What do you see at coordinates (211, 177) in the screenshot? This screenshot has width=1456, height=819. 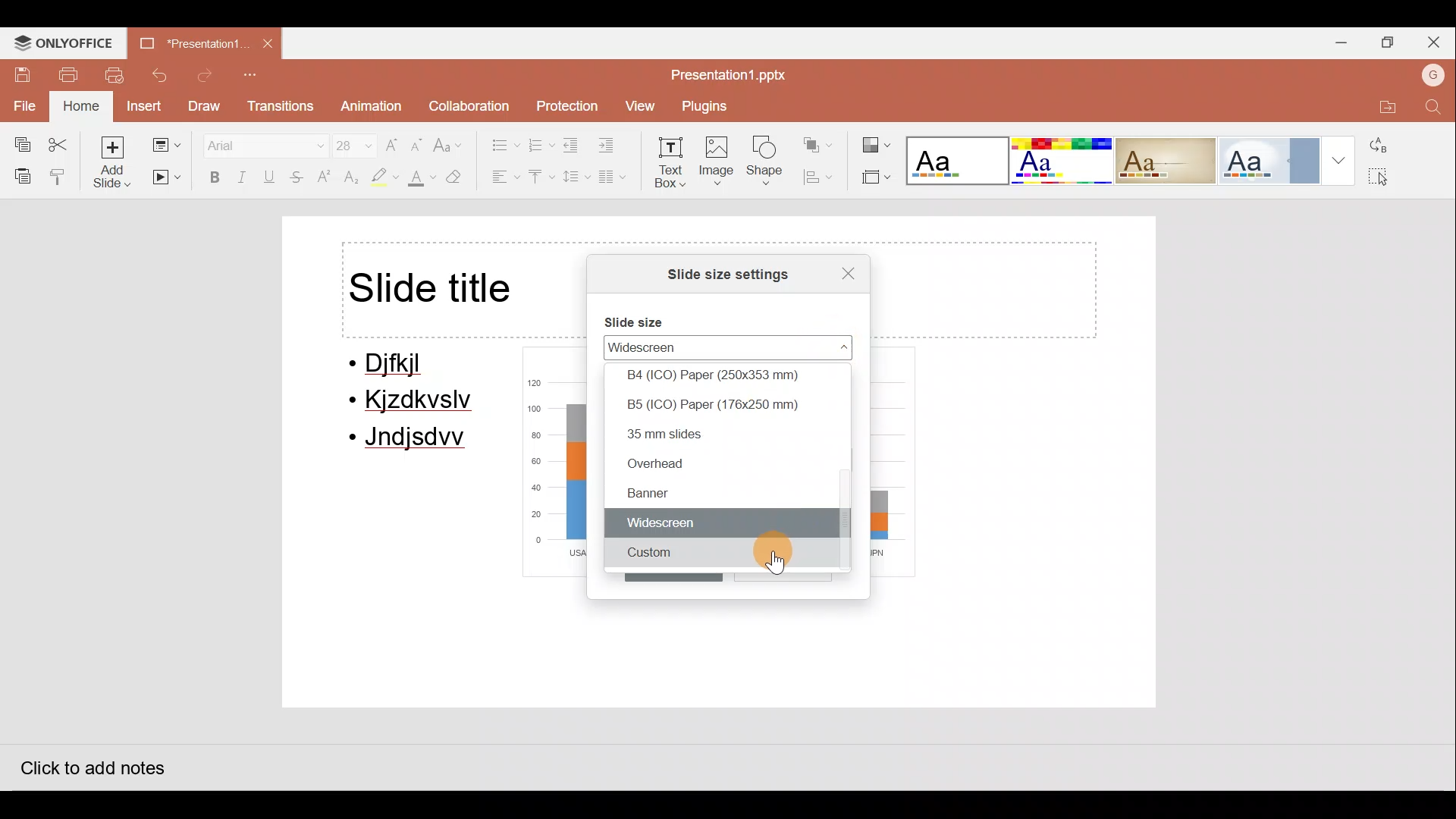 I see `Bold` at bounding box center [211, 177].